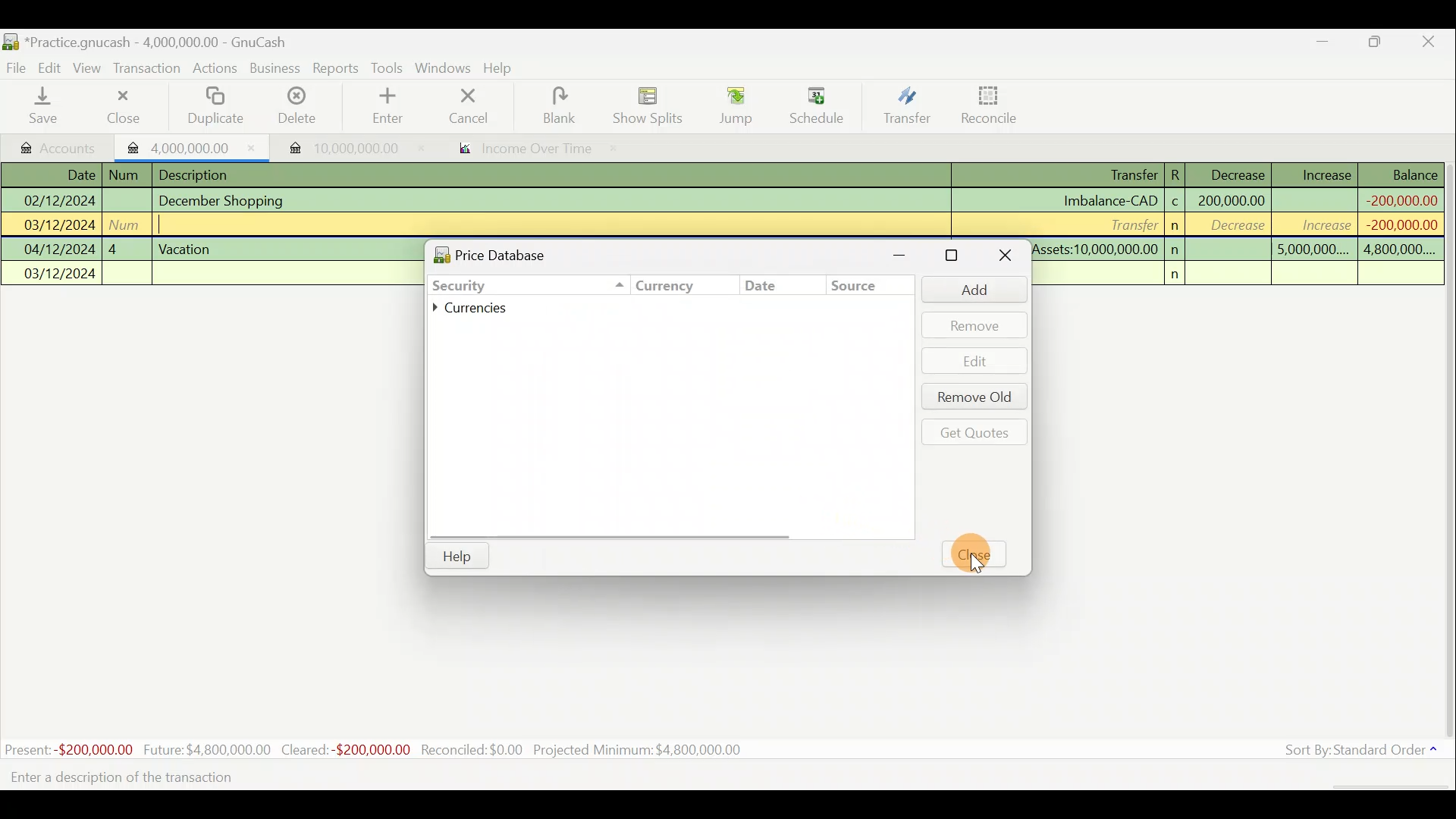 Image resolution: width=1456 pixels, height=819 pixels. Describe the element at coordinates (730, 106) in the screenshot. I see `Jump` at that location.